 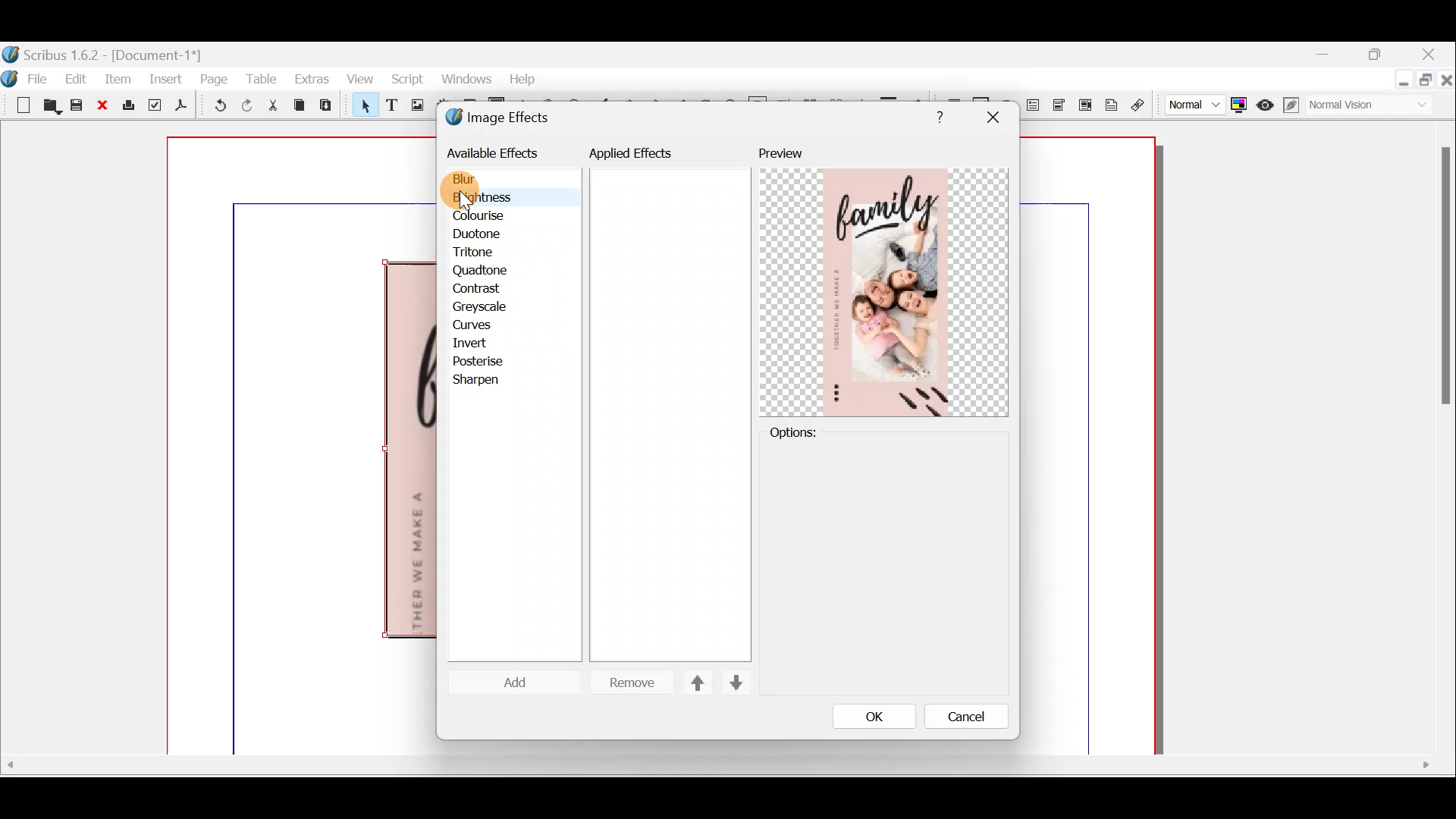 I want to click on Close, so click(x=1447, y=83).